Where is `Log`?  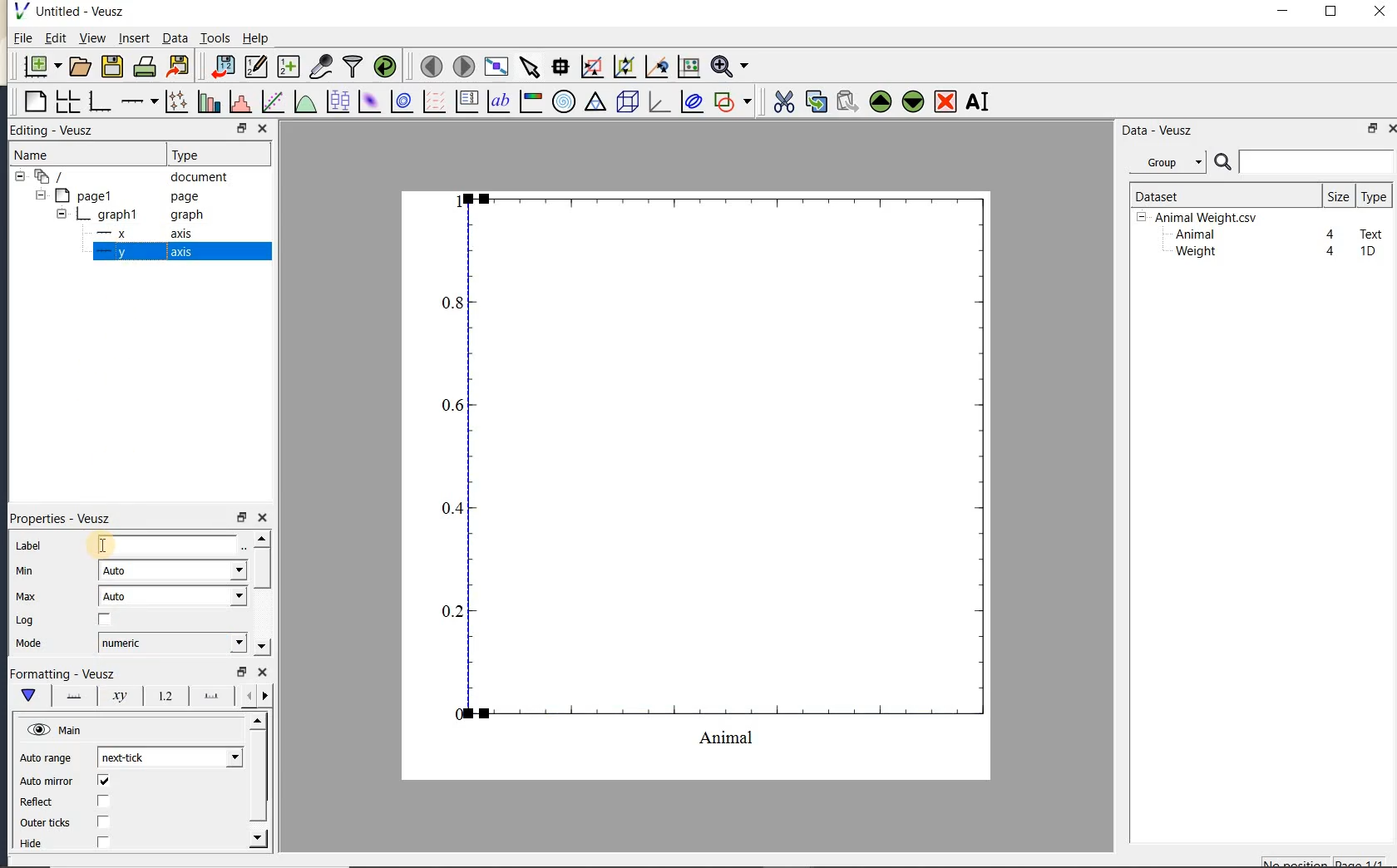
Log is located at coordinates (25, 620).